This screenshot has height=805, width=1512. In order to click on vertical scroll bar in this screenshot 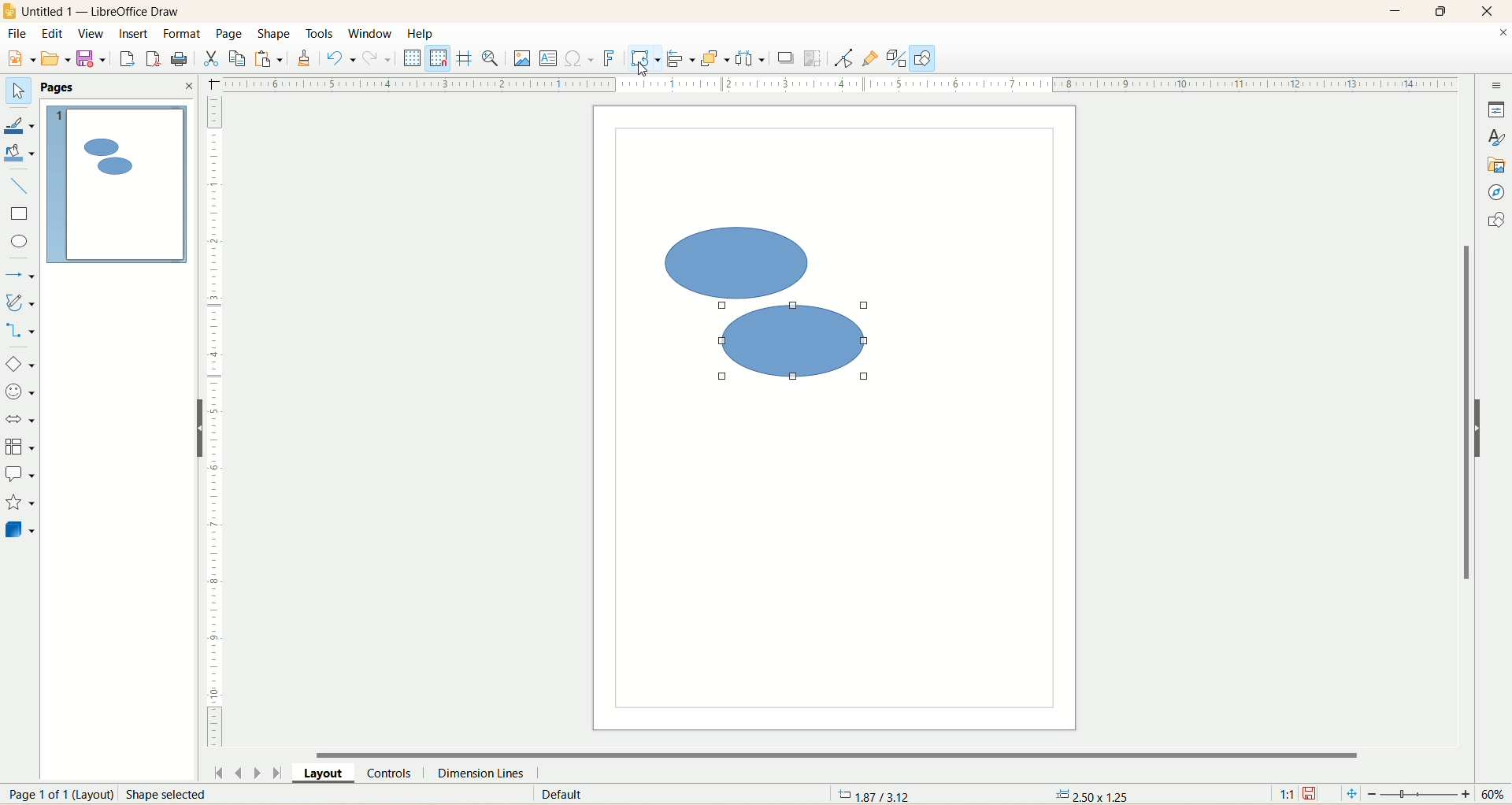, I will do `click(1462, 421)`.